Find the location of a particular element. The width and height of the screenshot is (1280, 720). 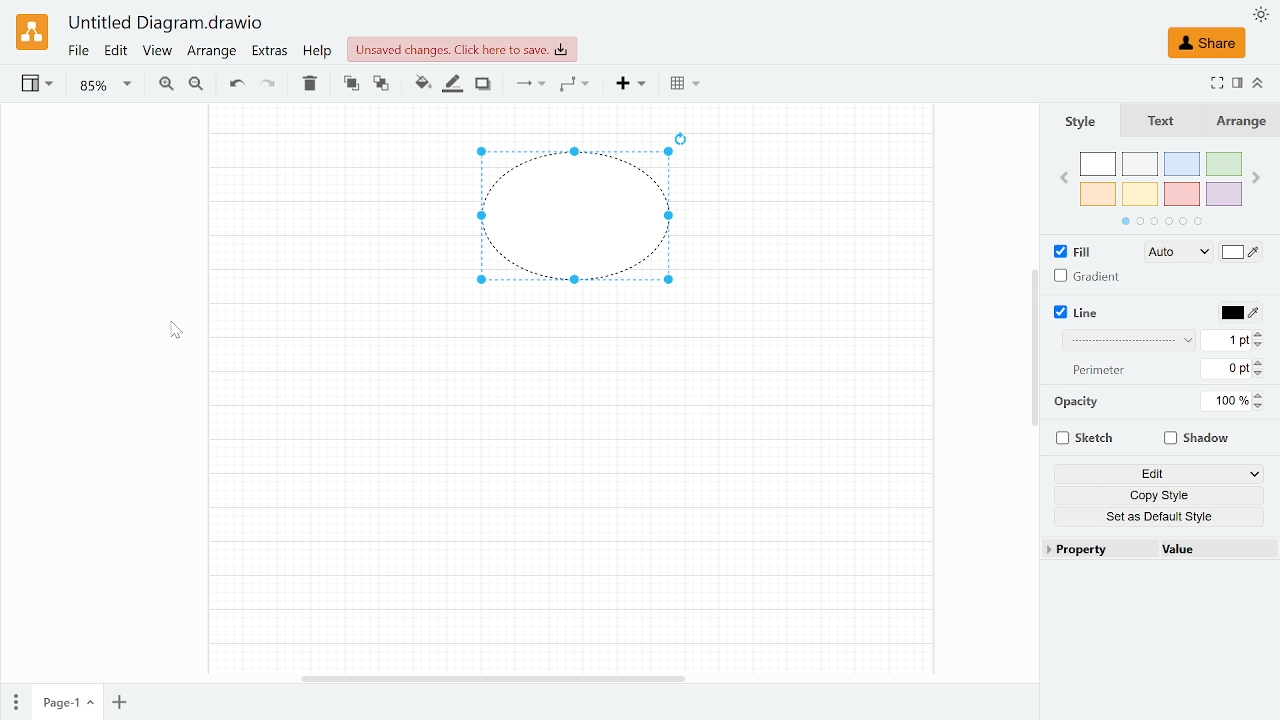

Copy style is located at coordinates (1161, 495).